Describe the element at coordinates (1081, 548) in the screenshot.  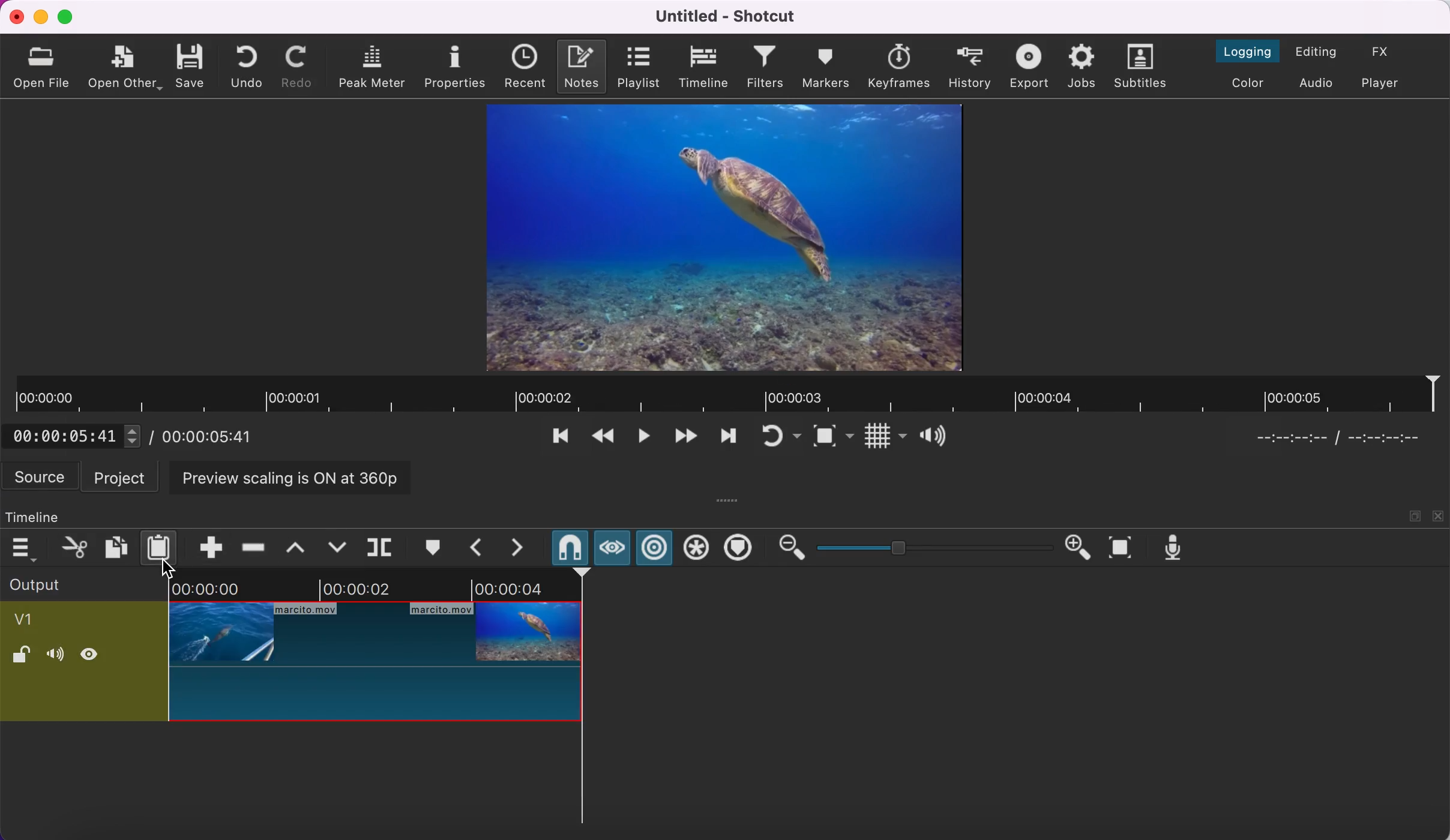
I see `zoom in` at that location.